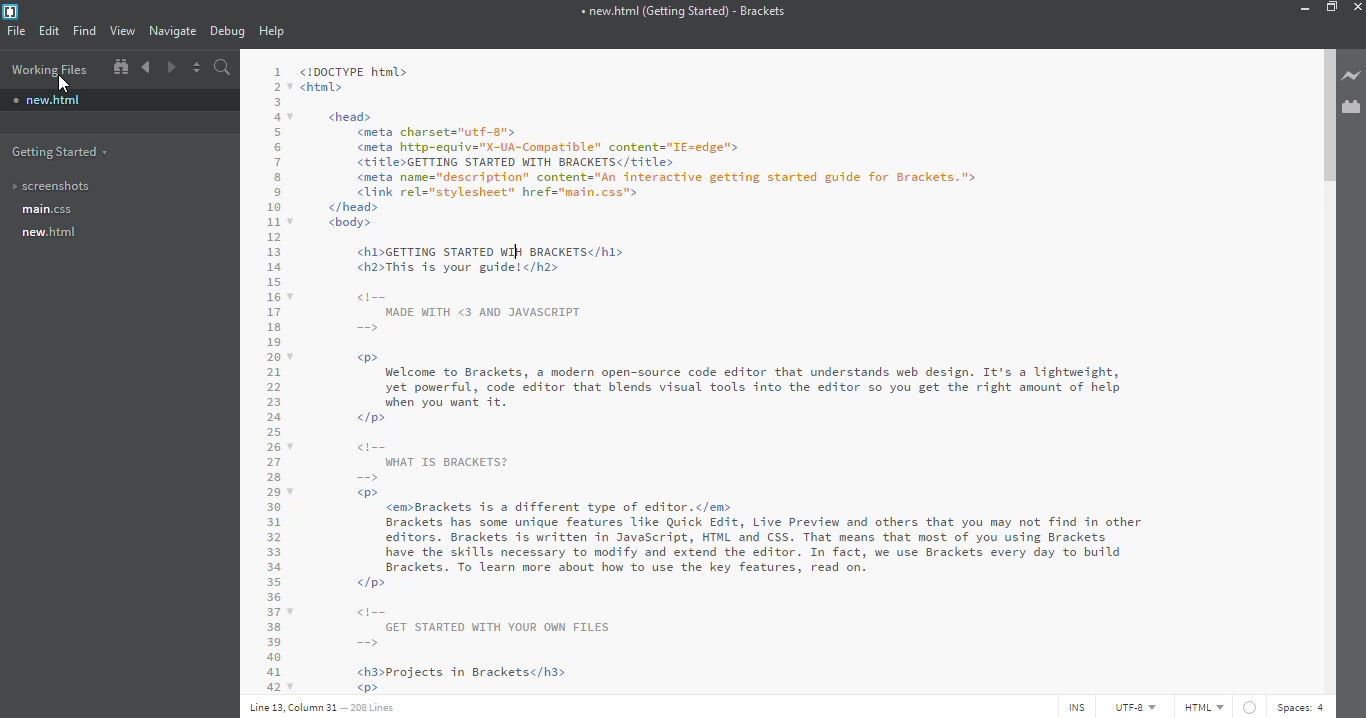  What do you see at coordinates (170, 68) in the screenshot?
I see `forward` at bounding box center [170, 68].